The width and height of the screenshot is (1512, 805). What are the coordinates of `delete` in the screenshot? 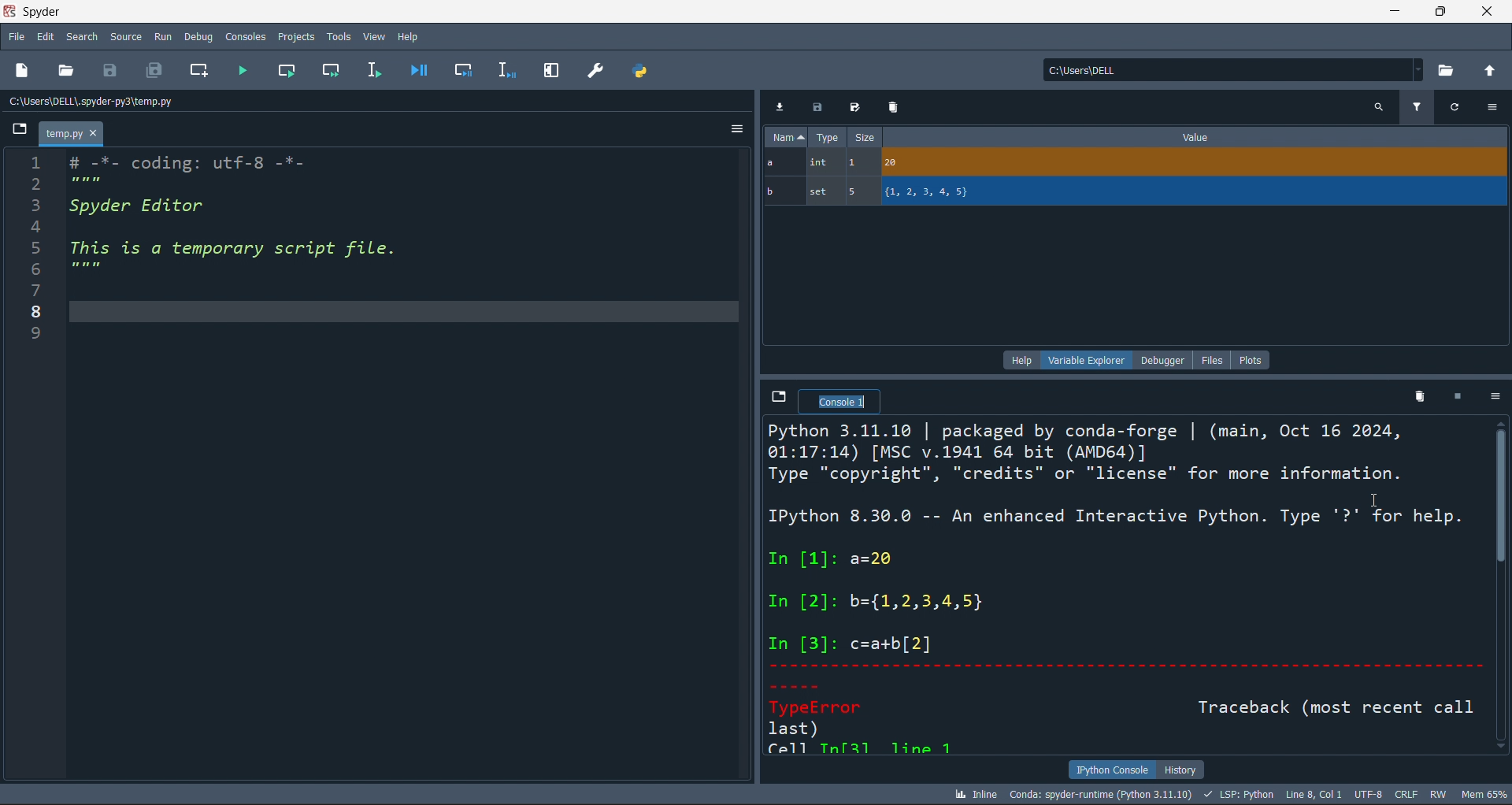 It's located at (892, 106).